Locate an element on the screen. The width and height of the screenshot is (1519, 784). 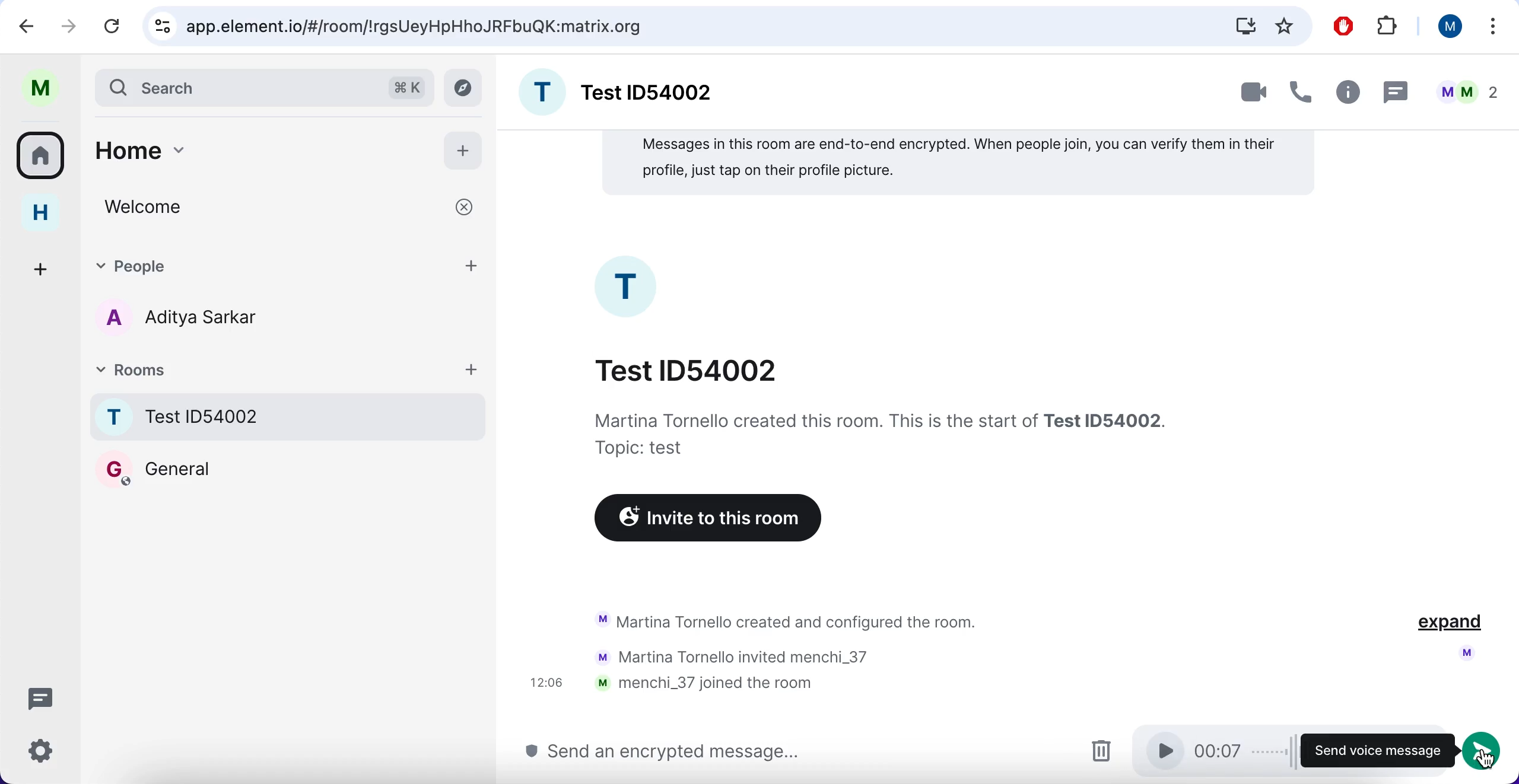
group name is located at coordinates (620, 90).